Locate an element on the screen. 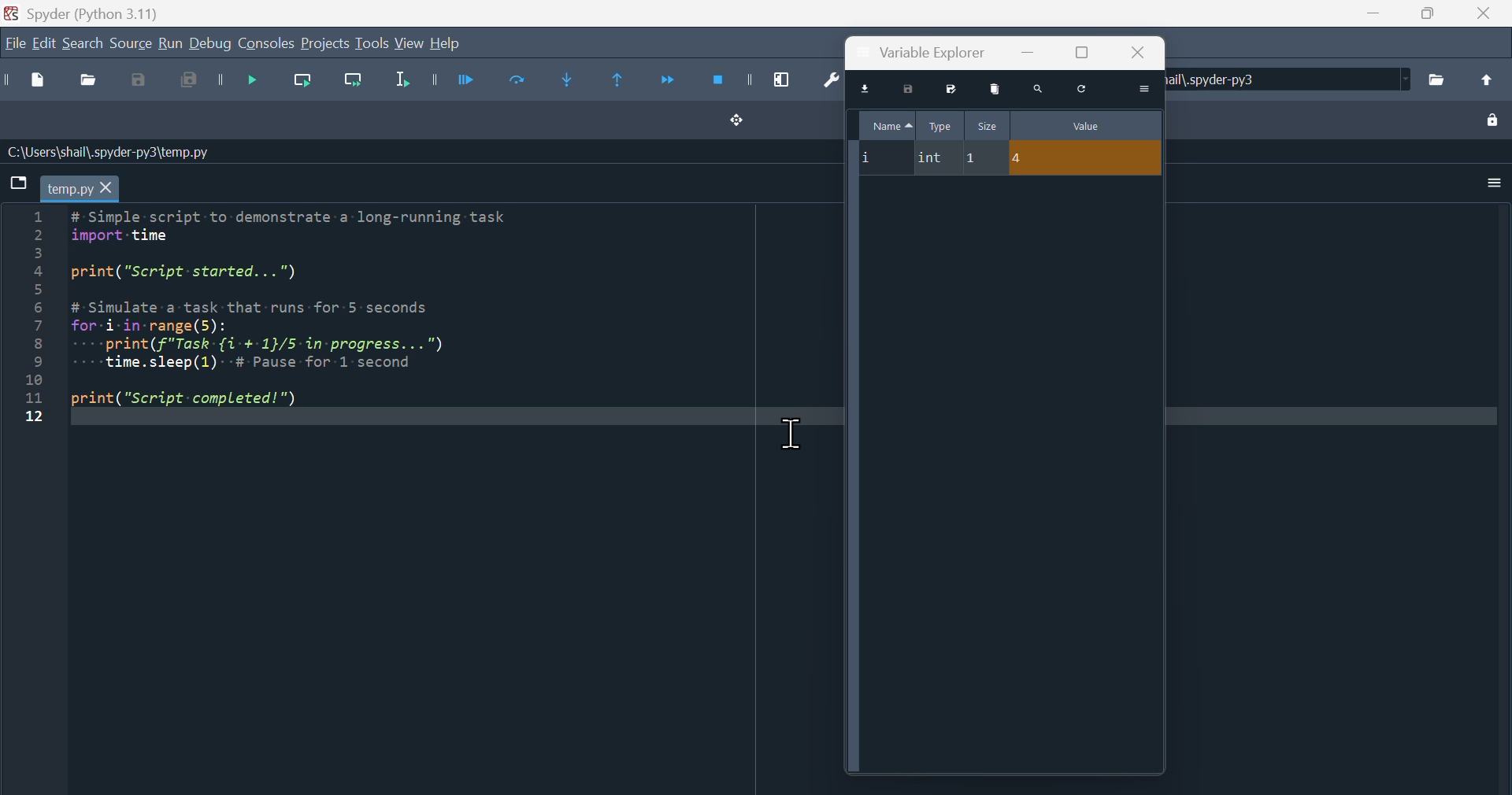 This screenshot has width=1512, height=795. run current cell is located at coordinates (511, 83).